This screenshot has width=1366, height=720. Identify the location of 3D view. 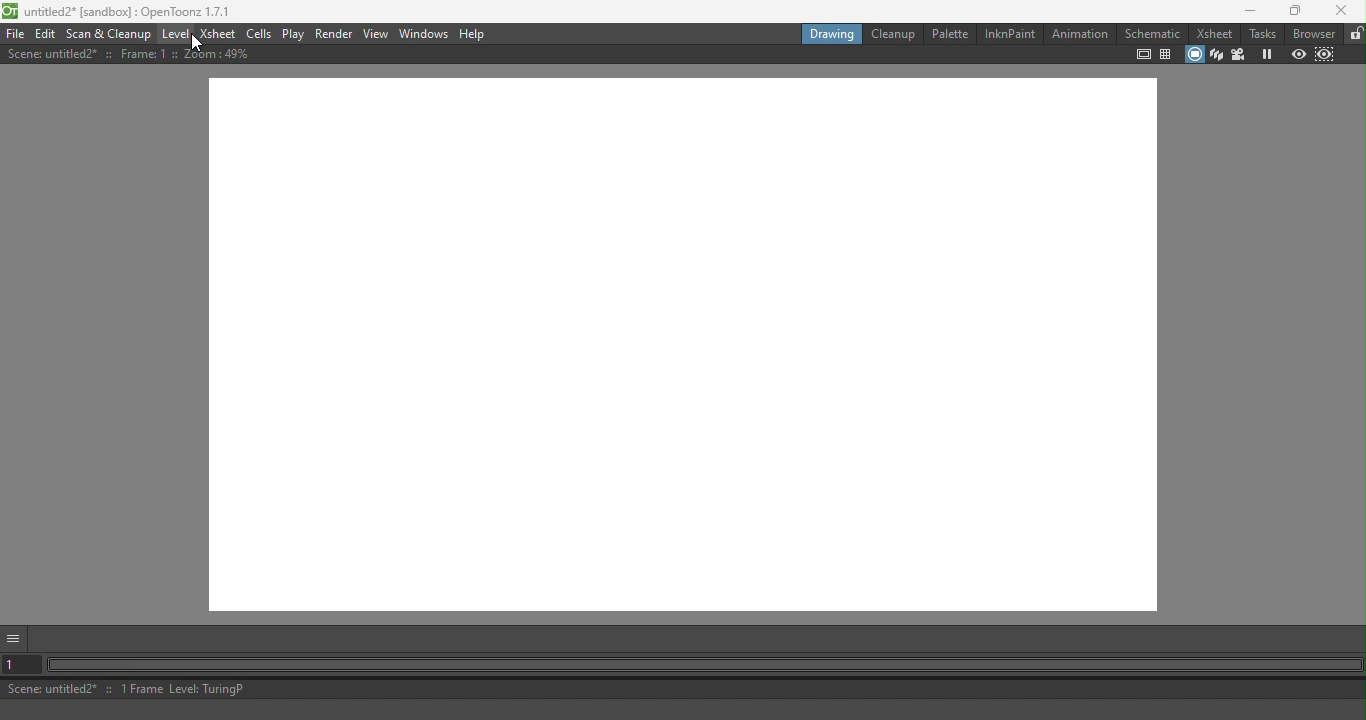
(1219, 54).